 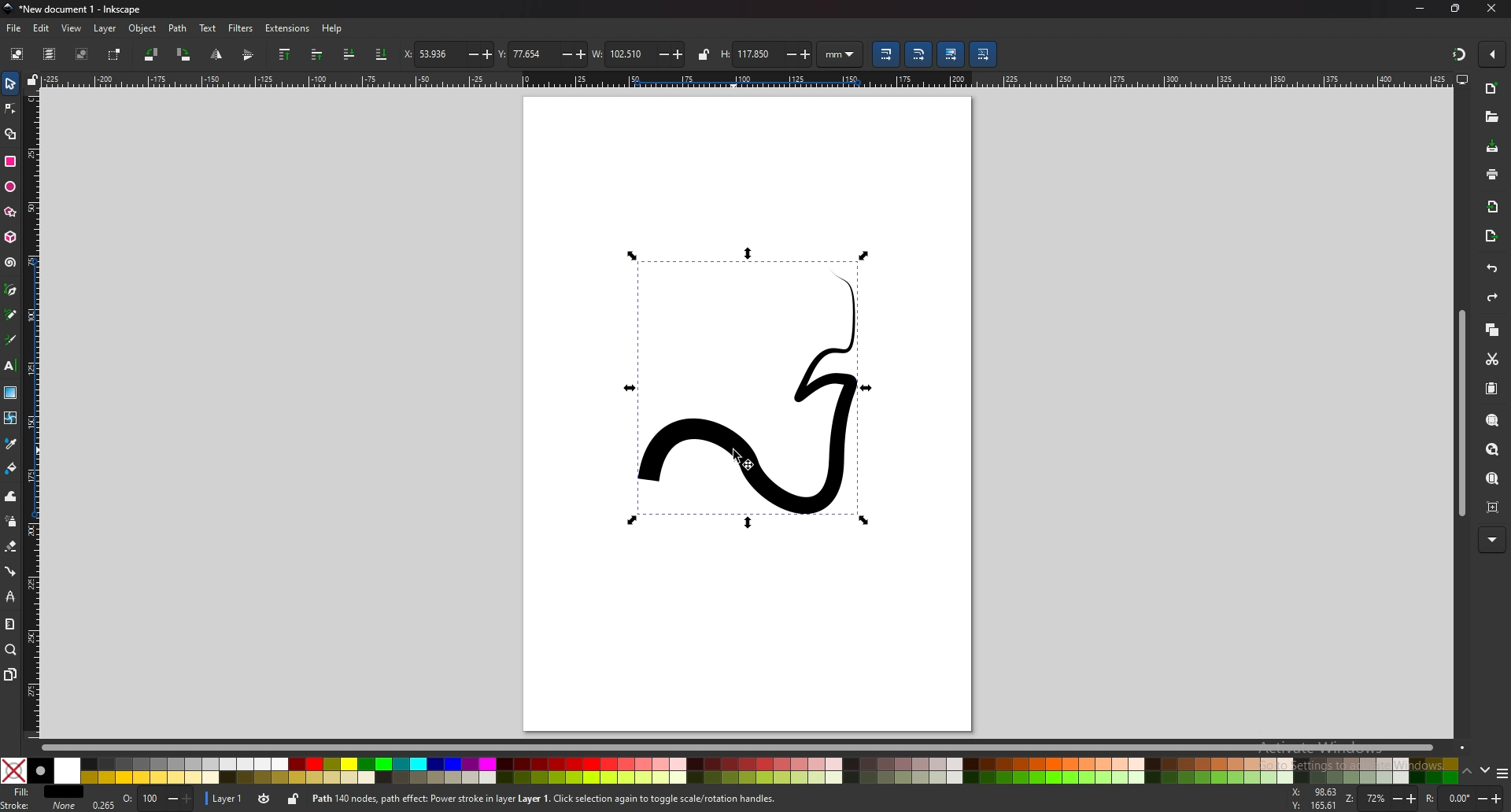 I want to click on new, so click(x=1493, y=90).